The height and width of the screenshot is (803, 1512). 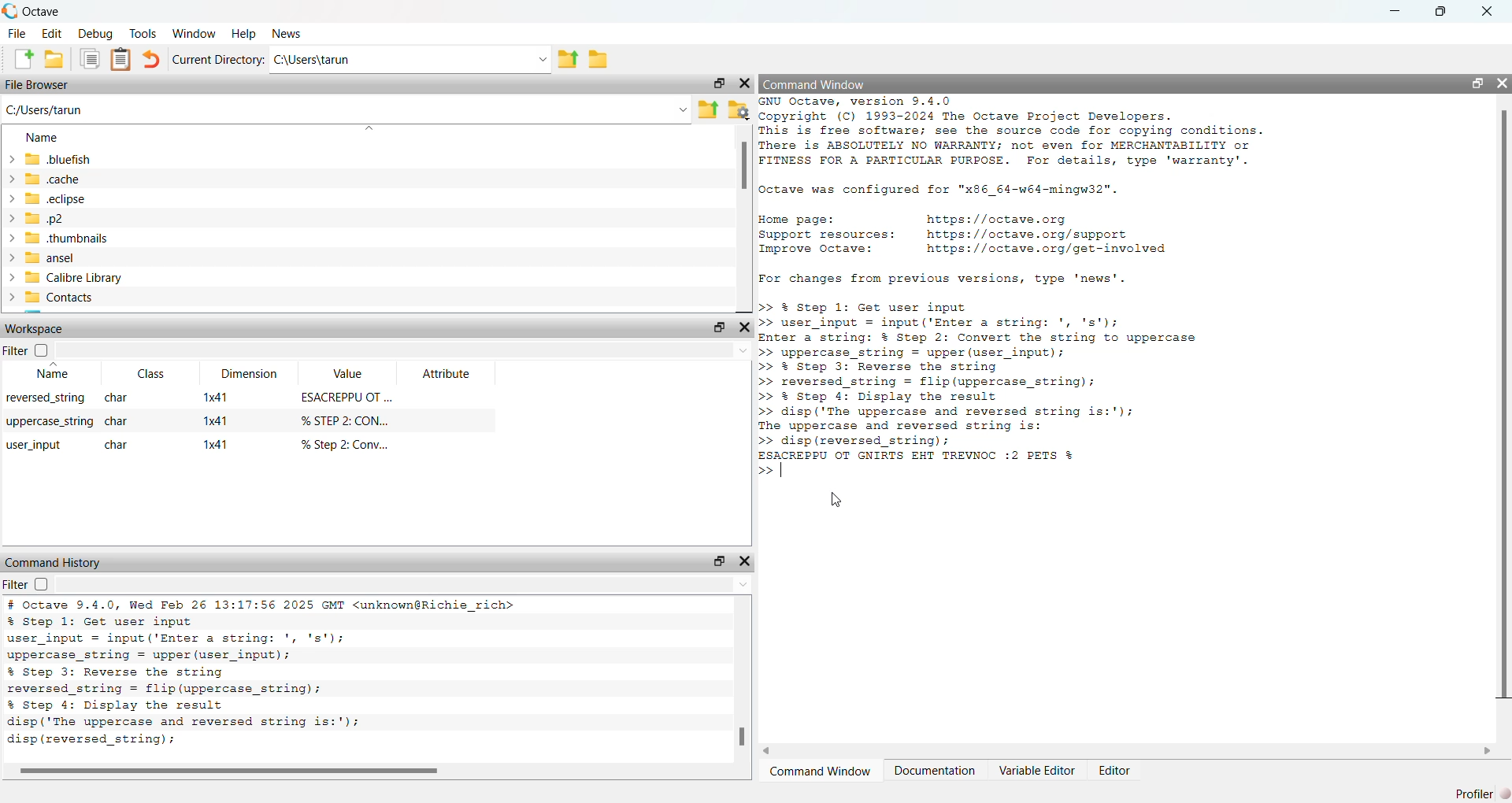 What do you see at coordinates (746, 561) in the screenshot?
I see `hide widget` at bounding box center [746, 561].